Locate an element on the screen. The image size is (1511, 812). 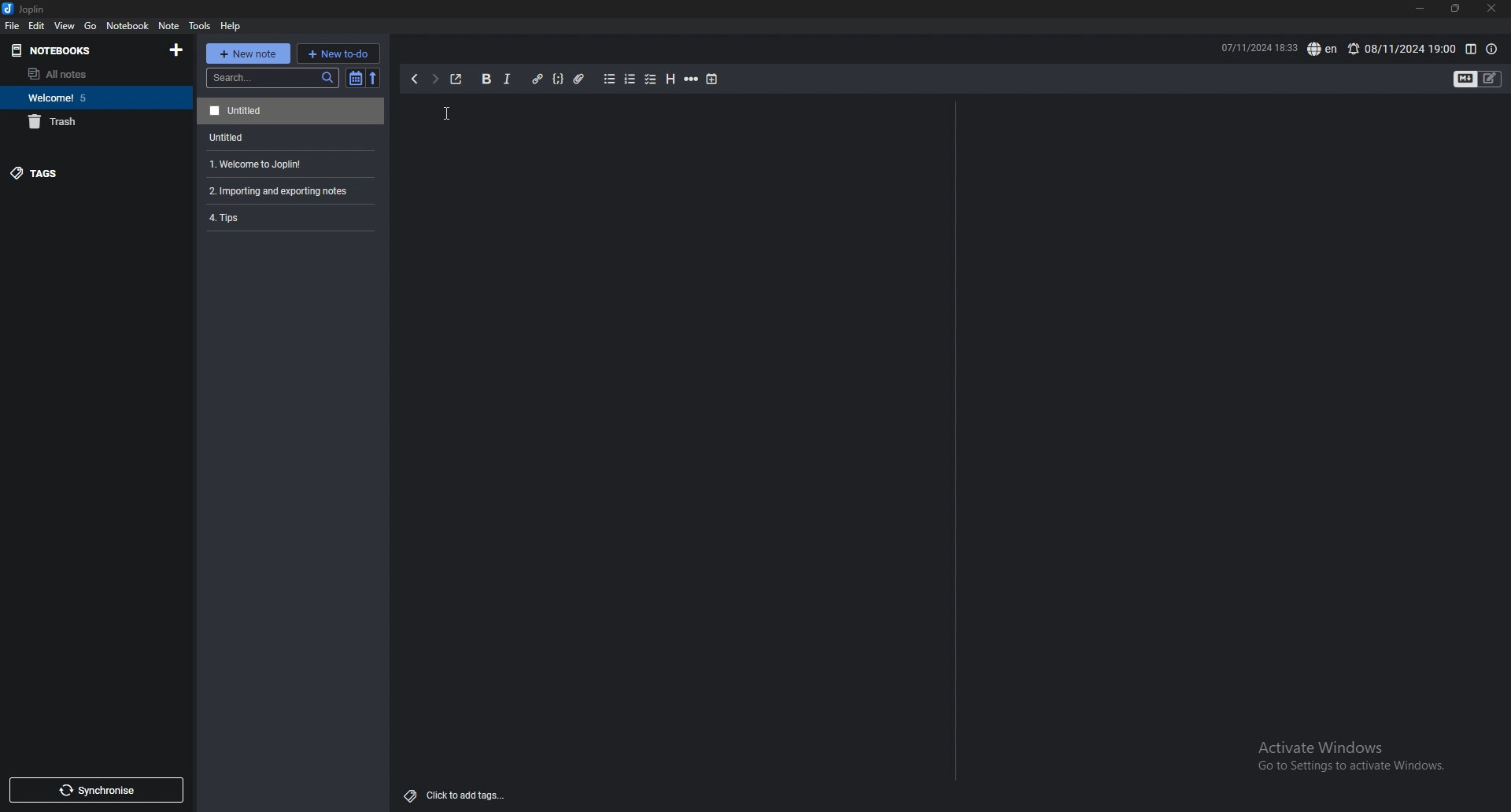
Welcome 5 is located at coordinates (92, 97).